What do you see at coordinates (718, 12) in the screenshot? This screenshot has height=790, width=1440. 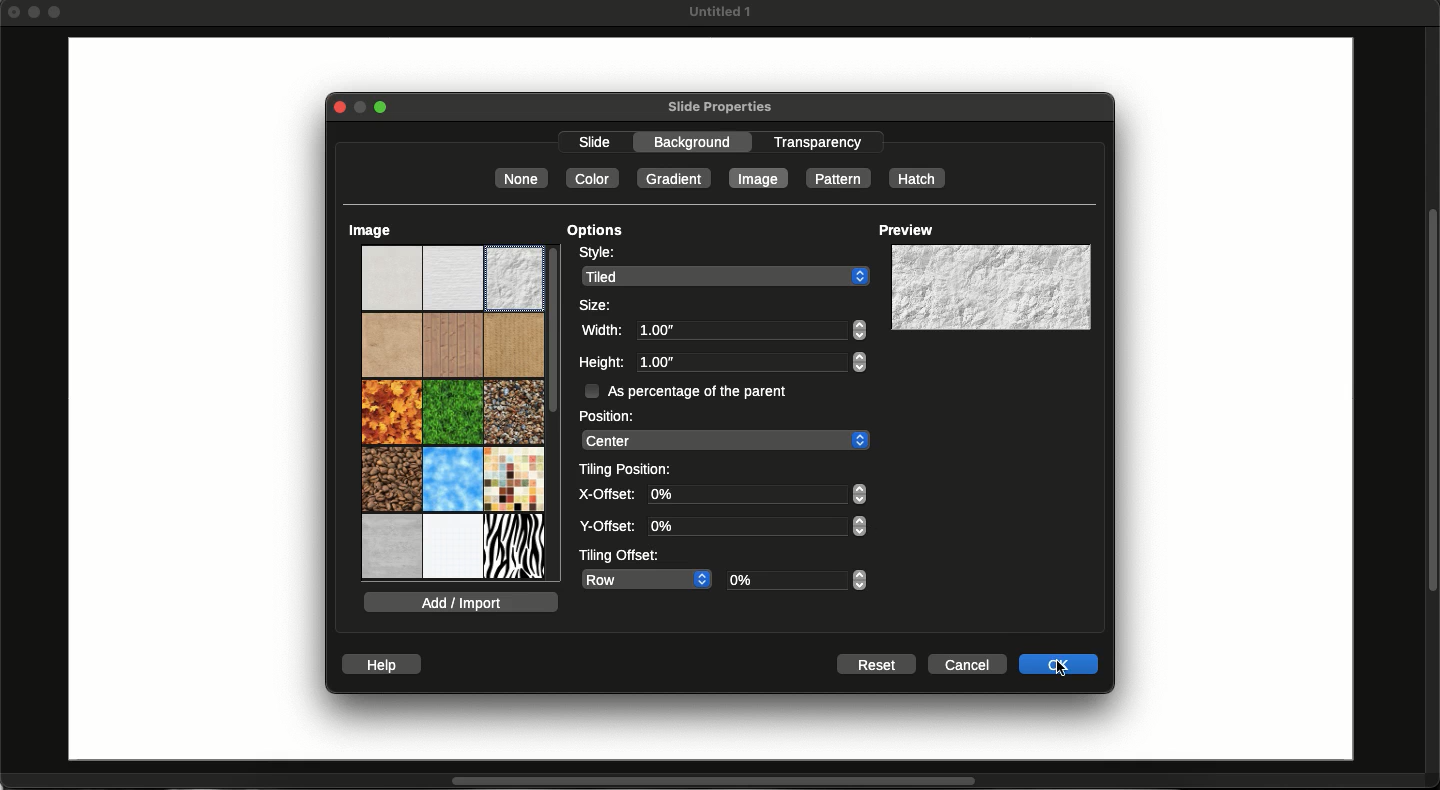 I see `Untitled 1` at bounding box center [718, 12].